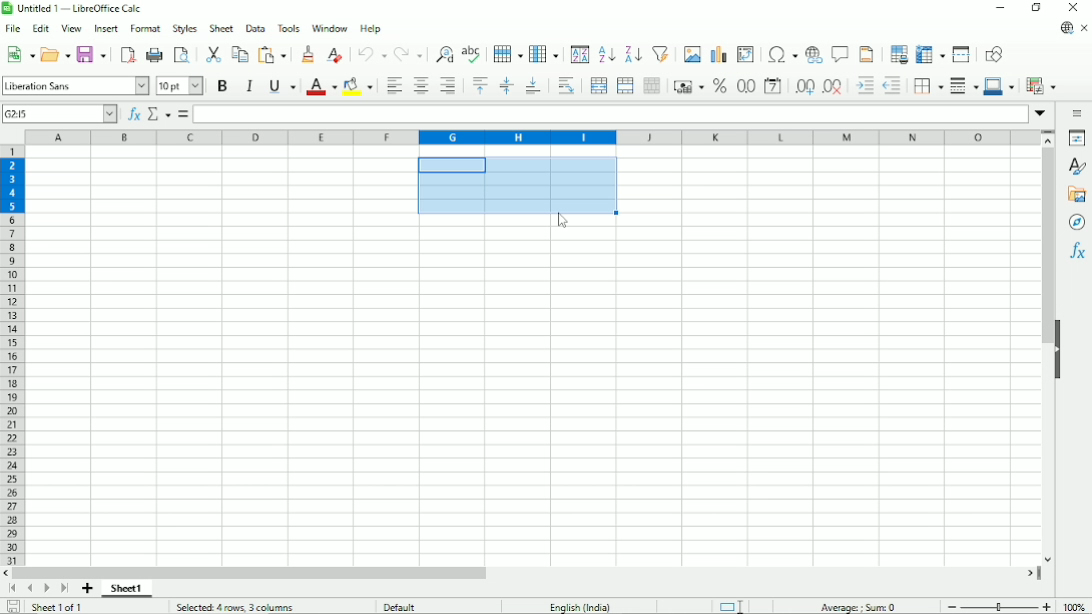 This screenshot has width=1092, height=614. Describe the element at coordinates (1076, 223) in the screenshot. I see `Navigator` at that location.